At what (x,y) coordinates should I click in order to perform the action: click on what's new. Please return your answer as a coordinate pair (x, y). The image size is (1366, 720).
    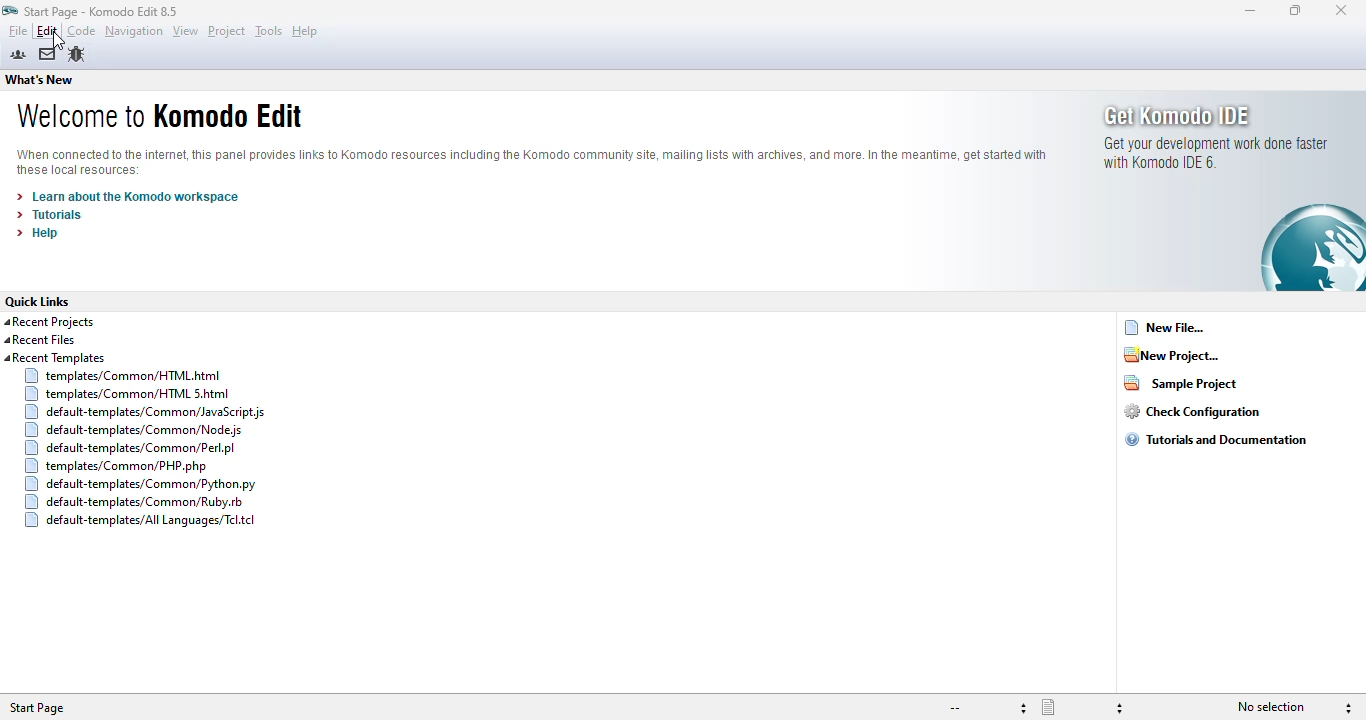
    Looking at the image, I should click on (40, 80).